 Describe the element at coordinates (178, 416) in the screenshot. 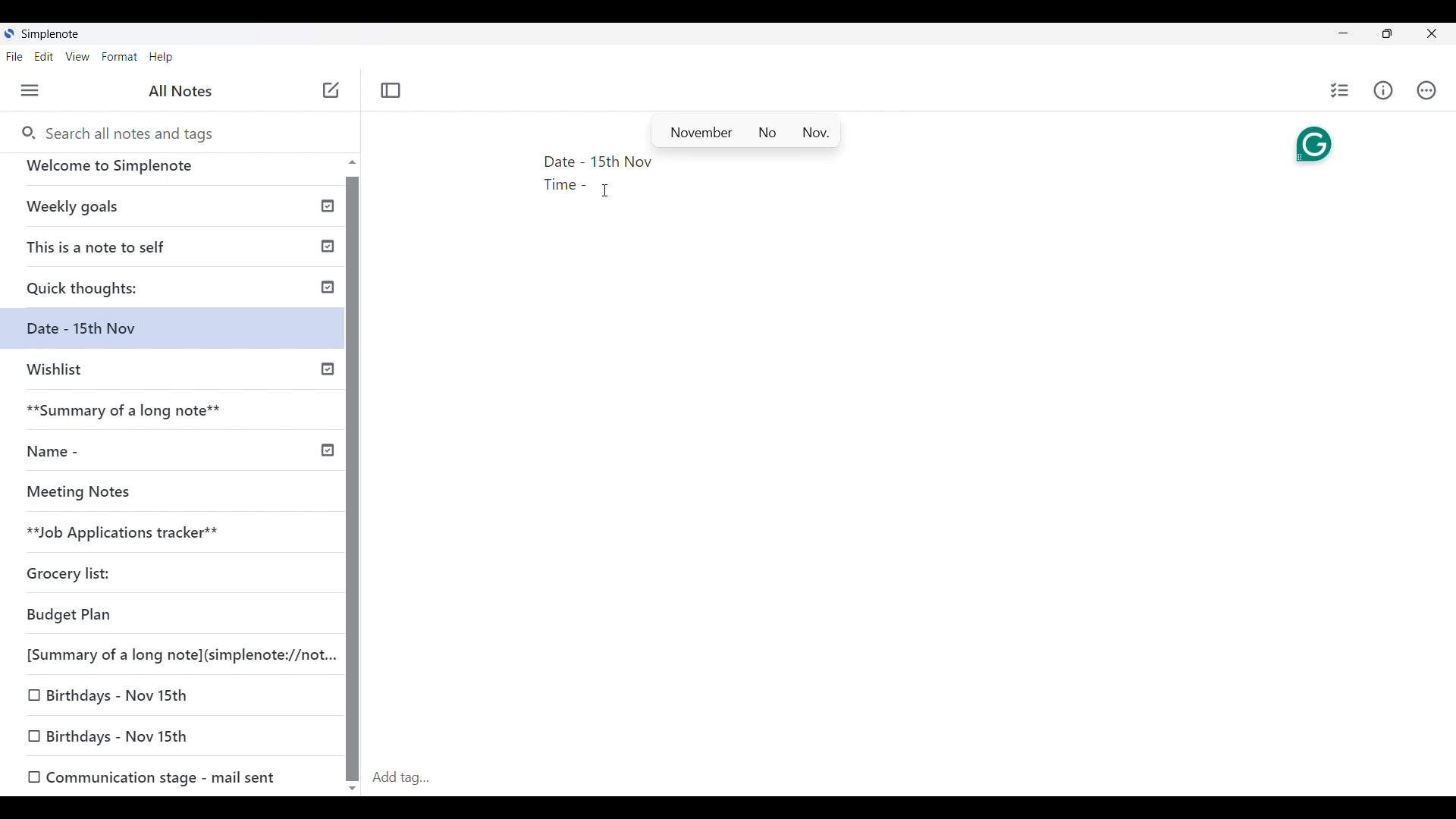

I see `Published note, indicated by check icon` at that location.